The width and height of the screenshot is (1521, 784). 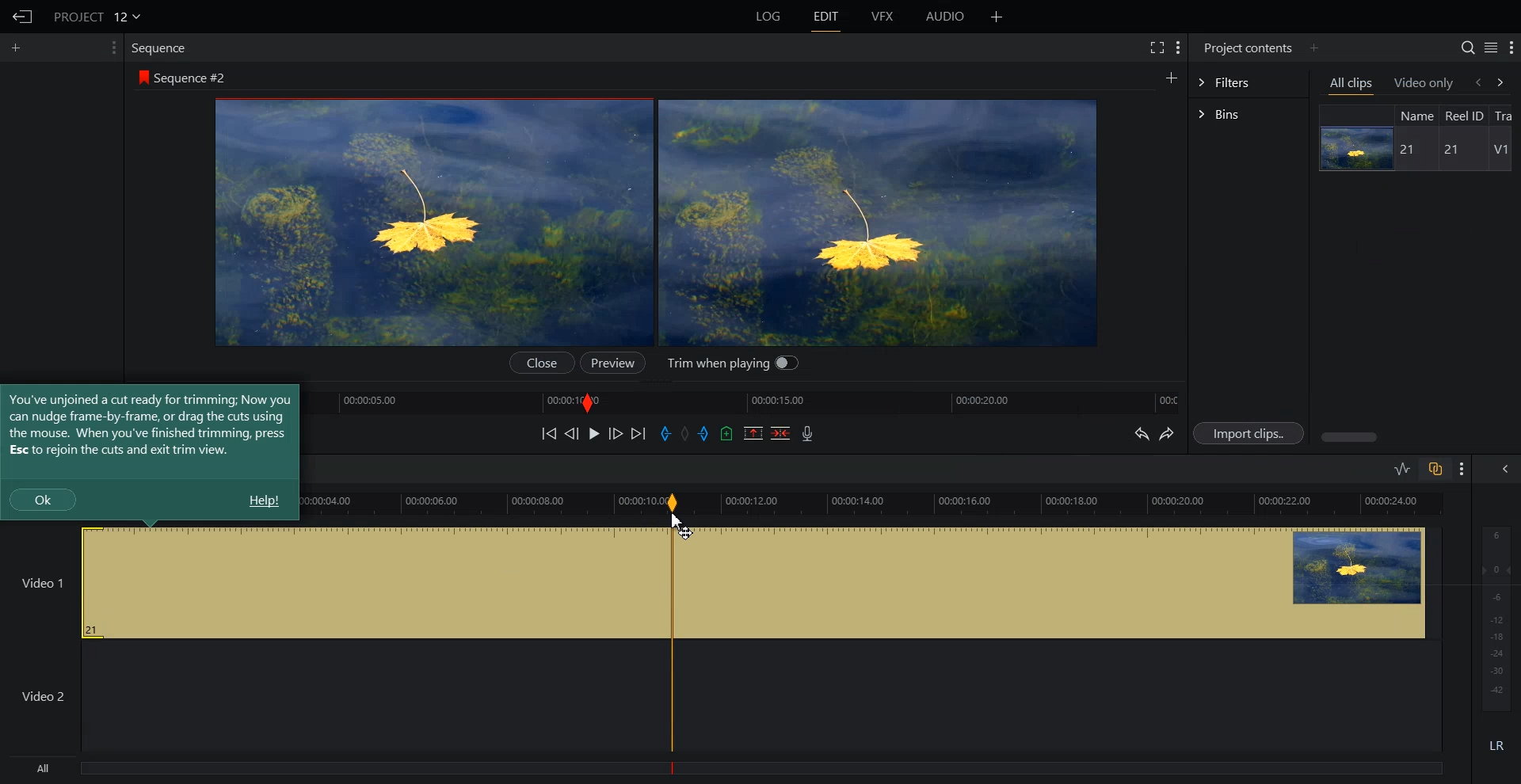 I want to click on You've unjoined a cut ready for trimming; Now you
can nudge frame-by-frame, or drag the cuts using
the mouse. When you've finished trimming, press
Esc to rejoin the cuts and exit trim view., so click(x=150, y=424).